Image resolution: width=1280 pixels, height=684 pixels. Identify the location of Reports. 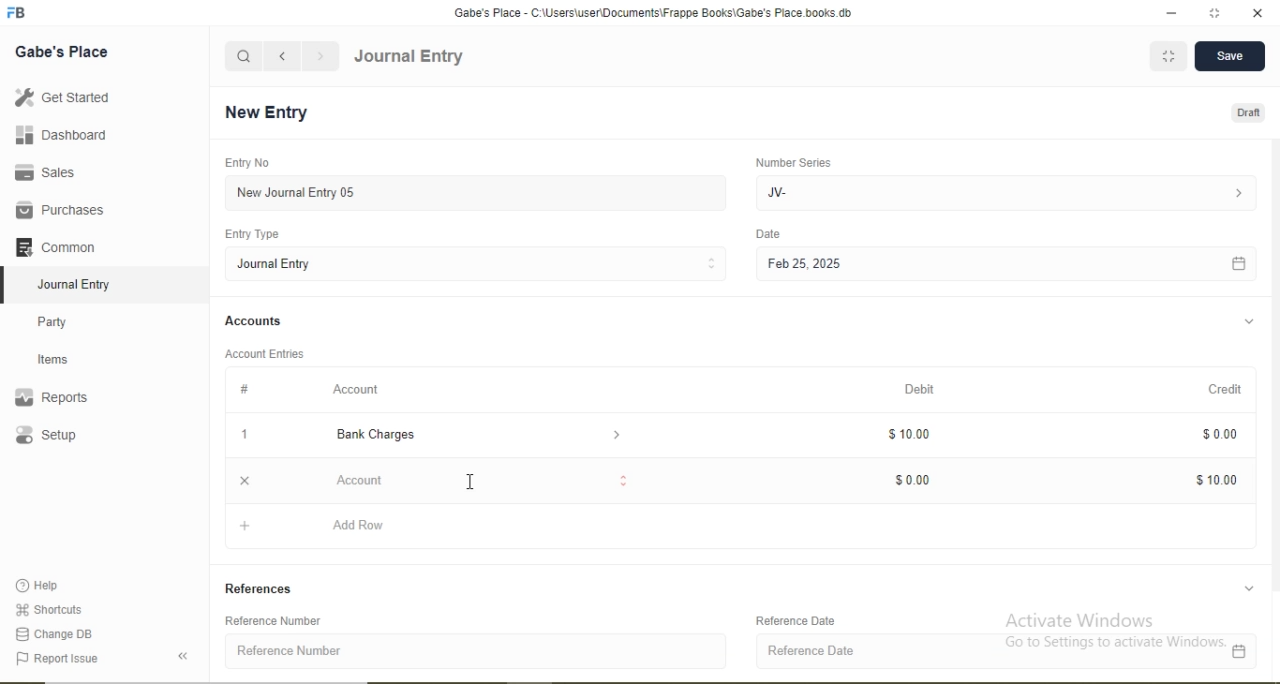
(61, 398).